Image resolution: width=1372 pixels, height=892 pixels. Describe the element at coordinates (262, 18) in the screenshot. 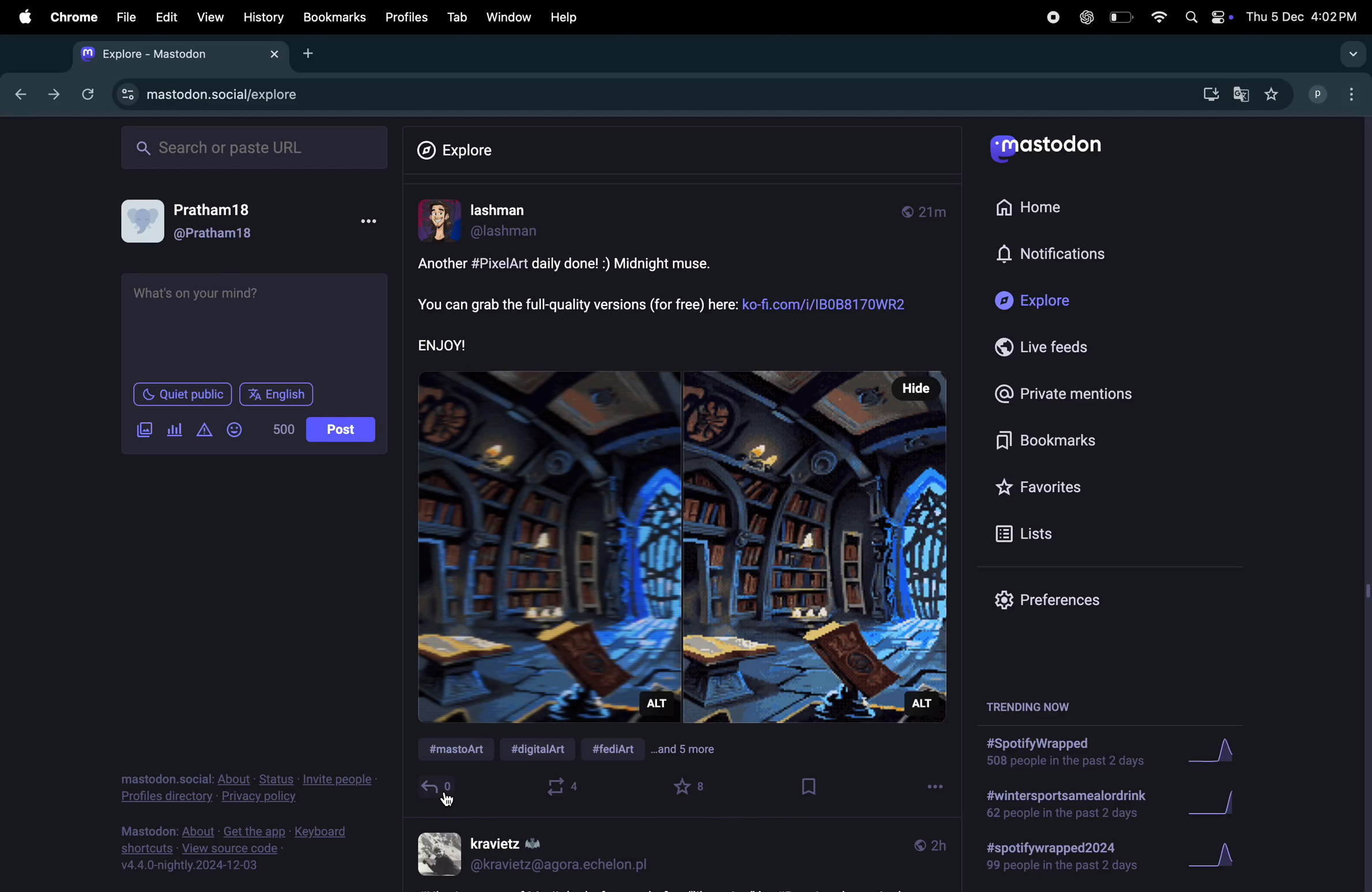

I see `History` at that location.